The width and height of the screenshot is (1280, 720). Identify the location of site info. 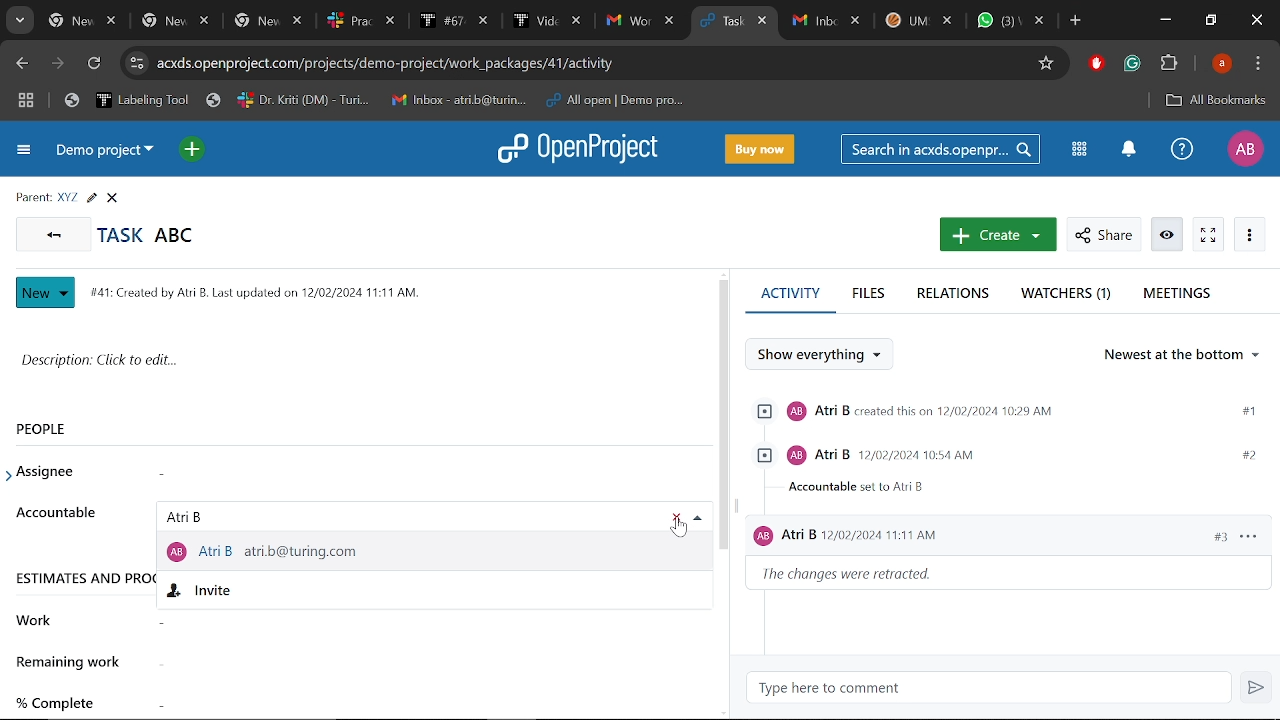
(136, 63).